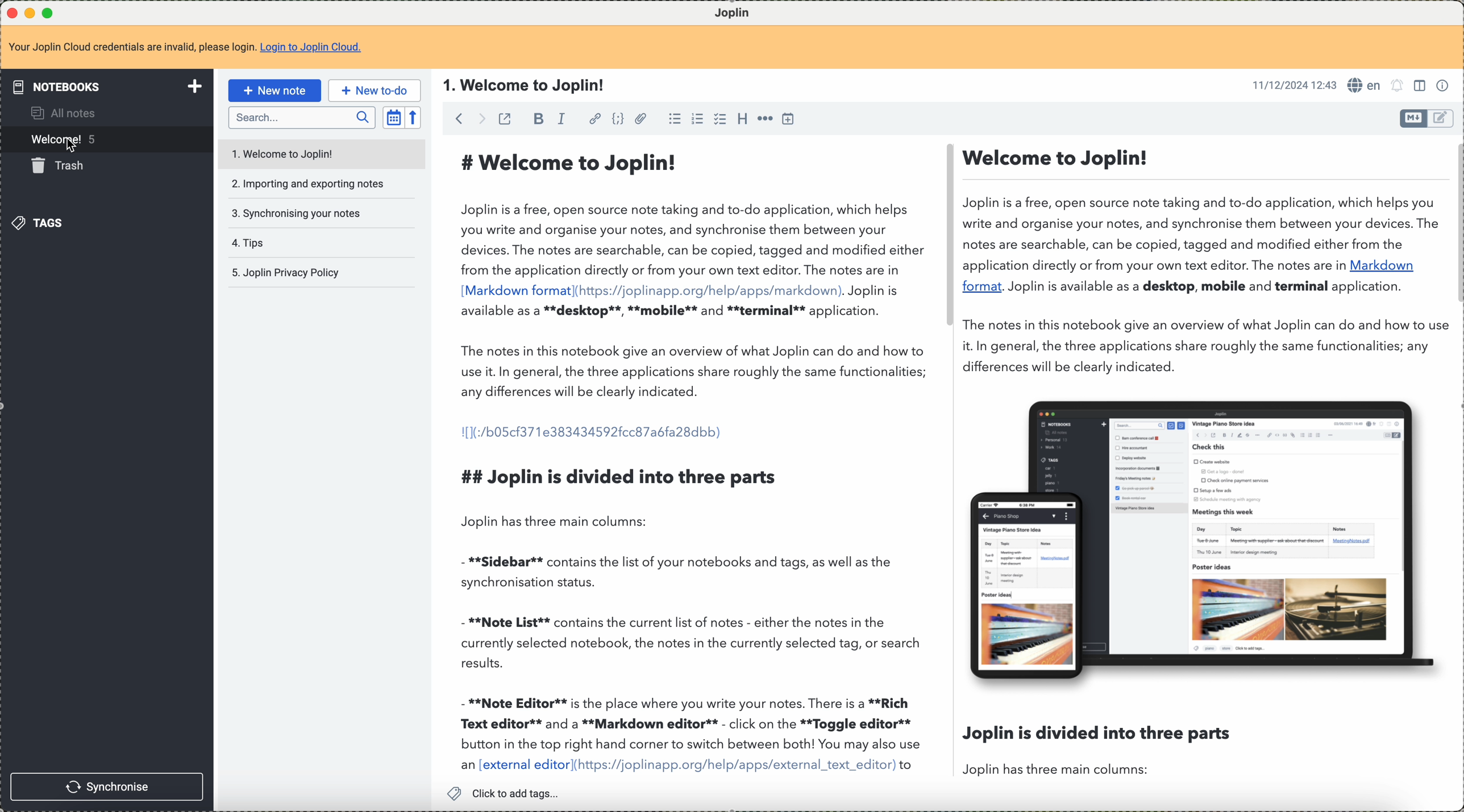  What do you see at coordinates (1421, 86) in the screenshot?
I see `toggle editor layouts` at bounding box center [1421, 86].